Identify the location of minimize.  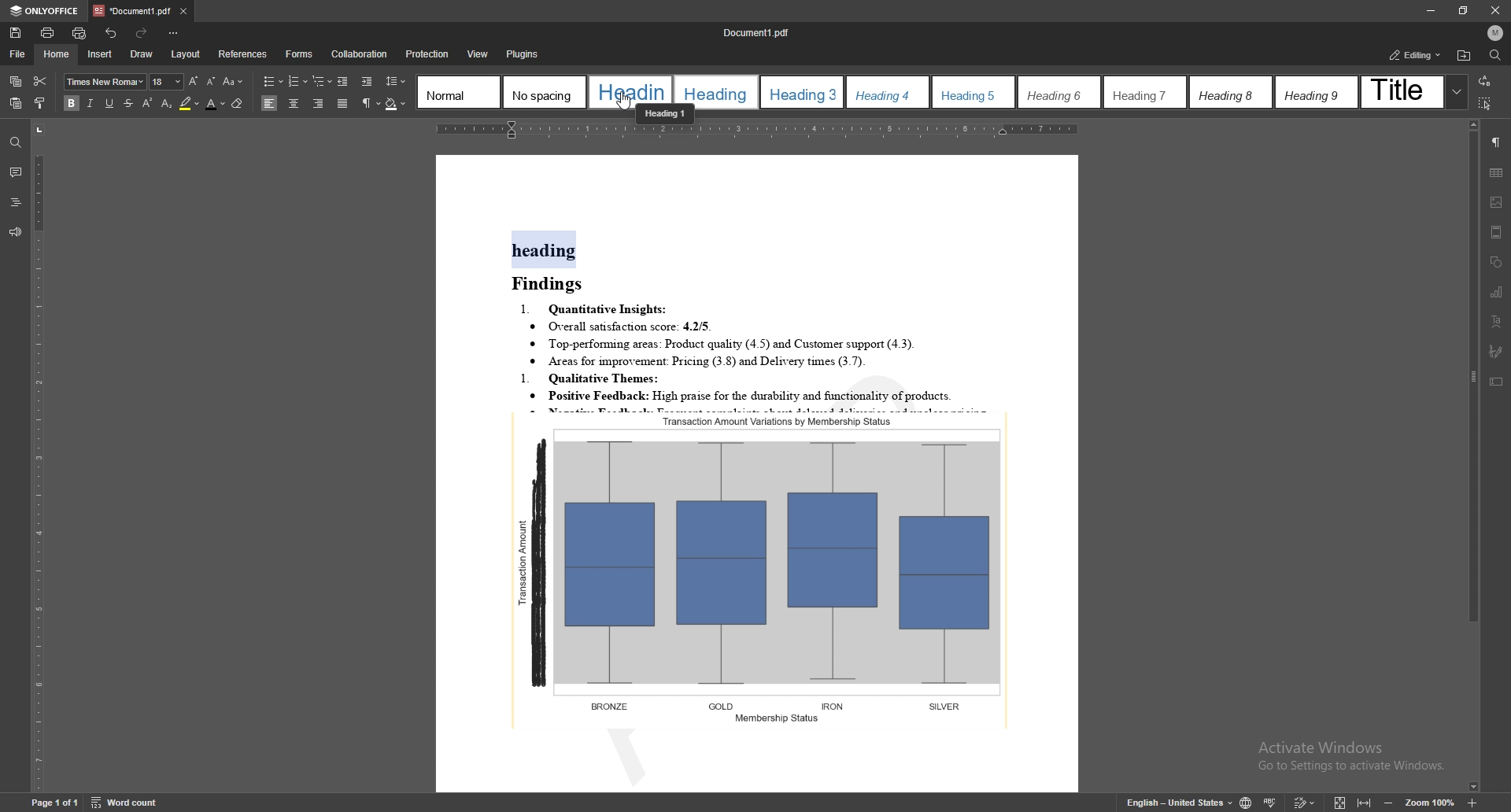
(1429, 10).